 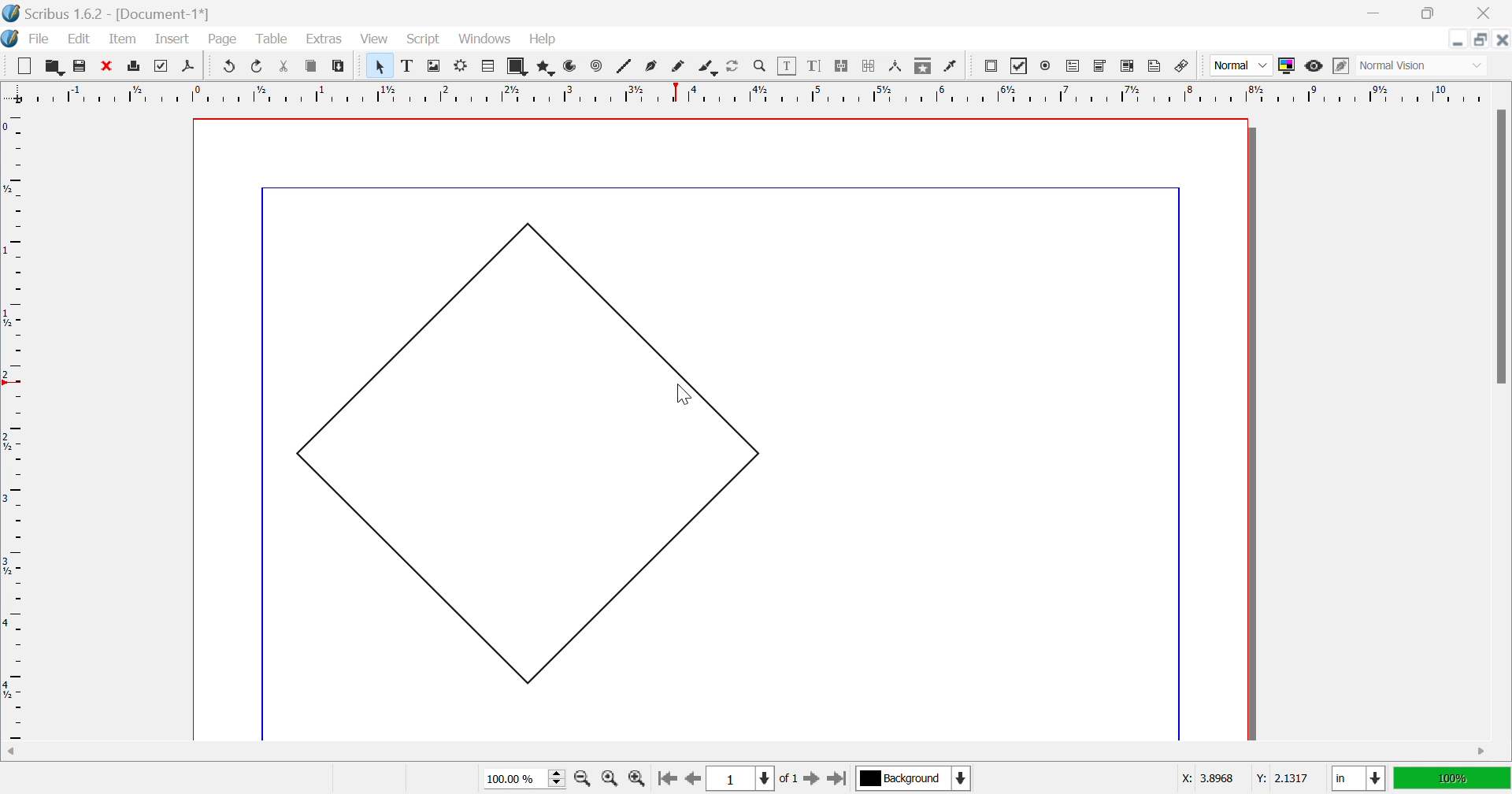 I want to click on View, so click(x=374, y=39).